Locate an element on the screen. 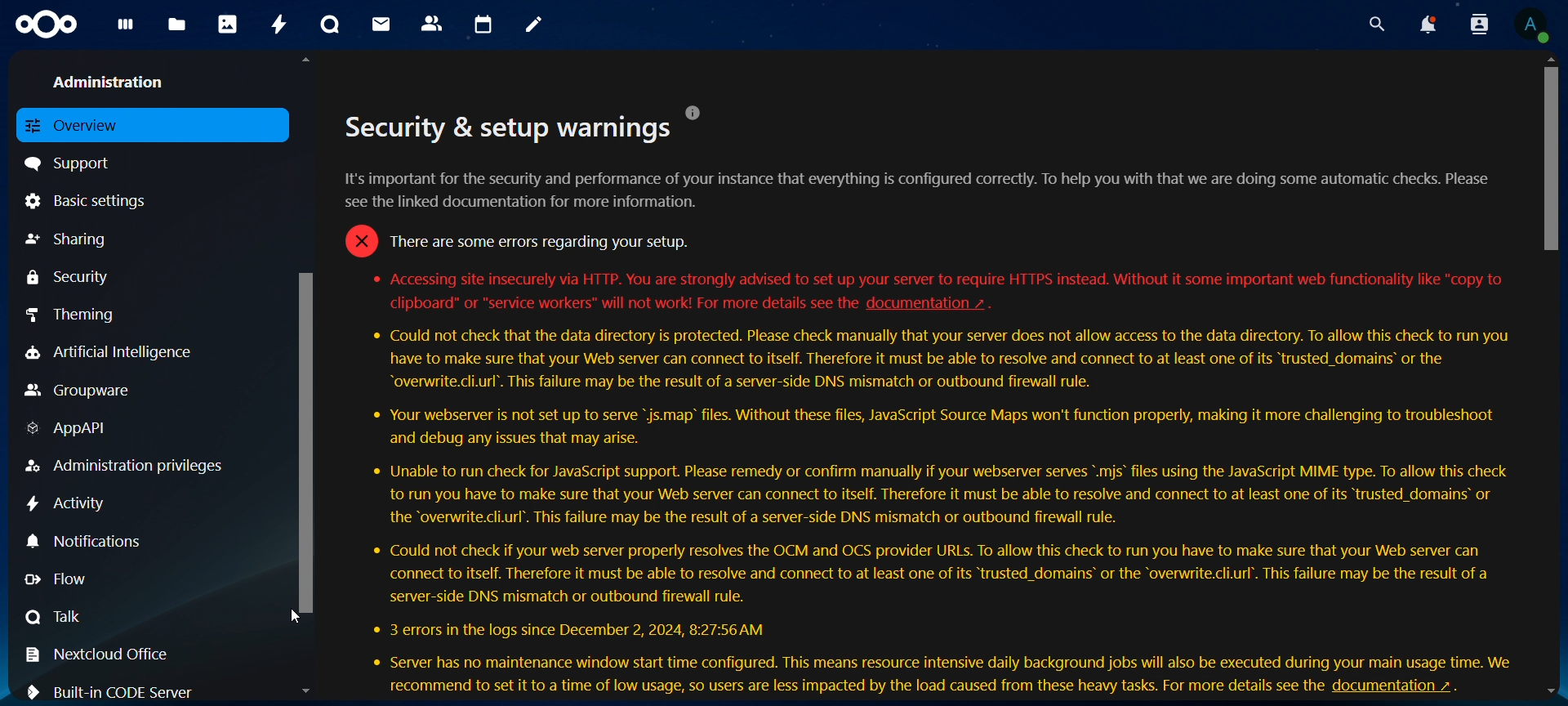 Image resolution: width=1568 pixels, height=706 pixels. mail is located at coordinates (383, 24).